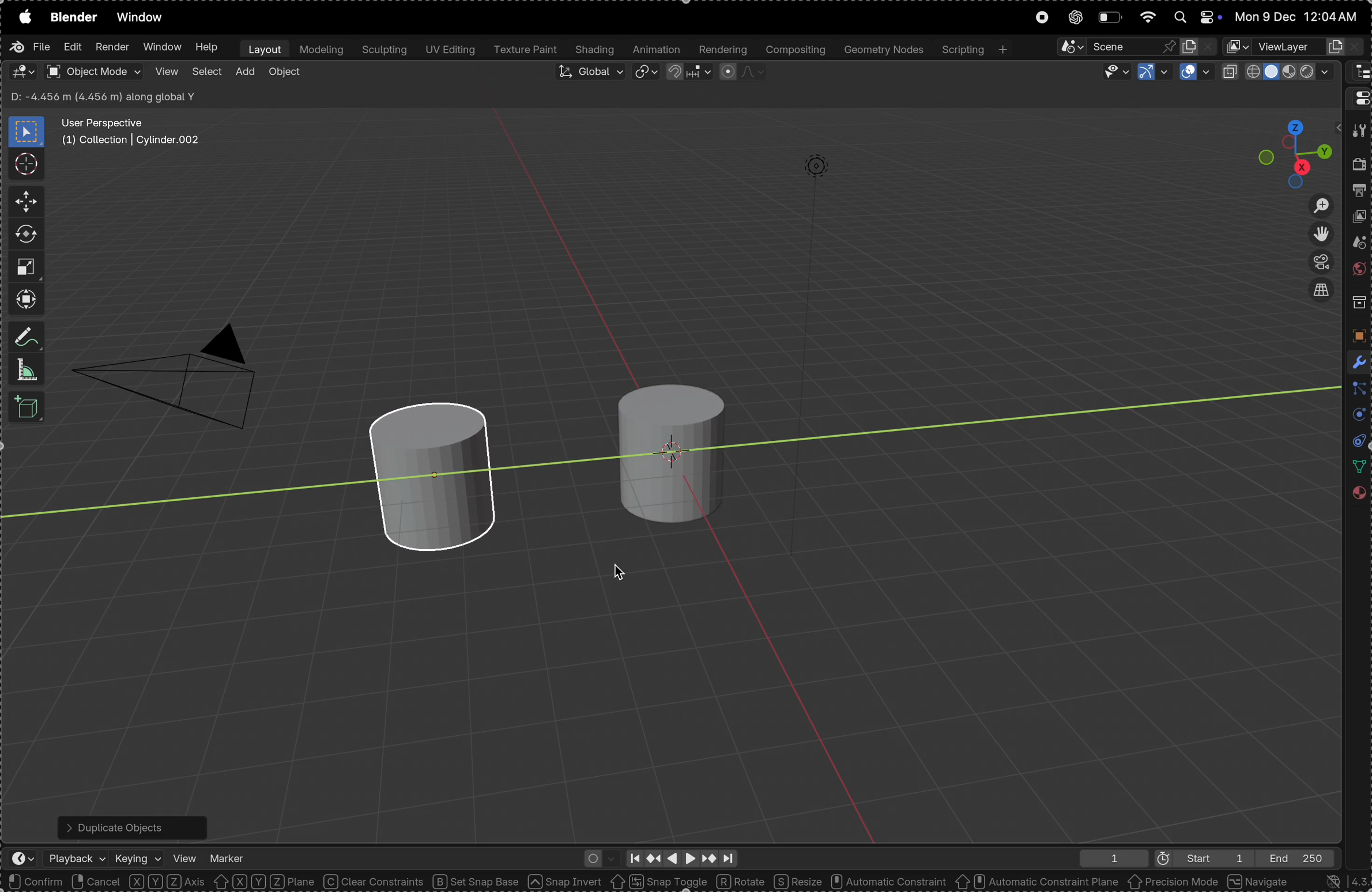  Describe the element at coordinates (1320, 294) in the screenshot. I see `select current views` at that location.